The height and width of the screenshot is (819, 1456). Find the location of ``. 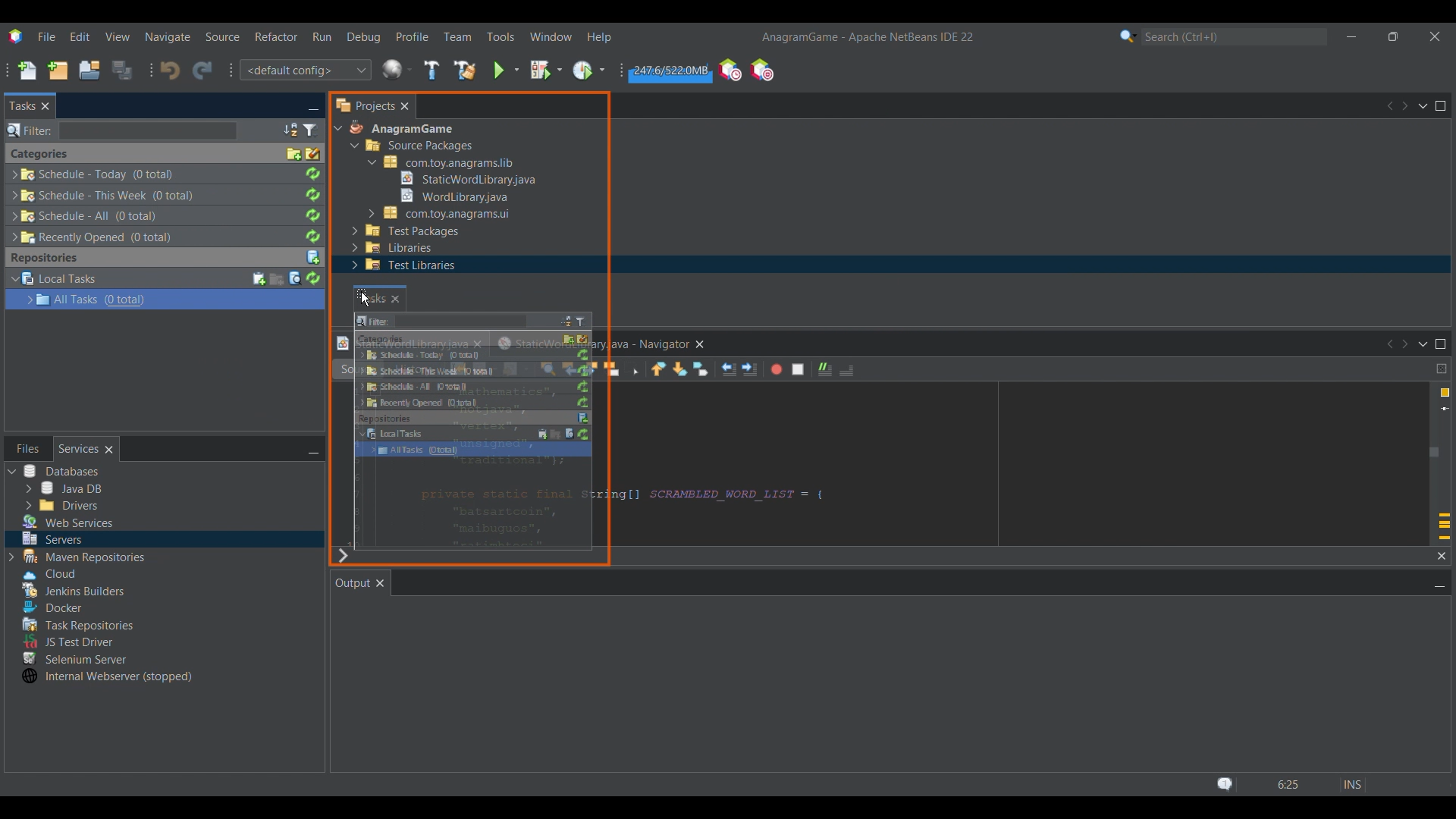

 is located at coordinates (392, 249).